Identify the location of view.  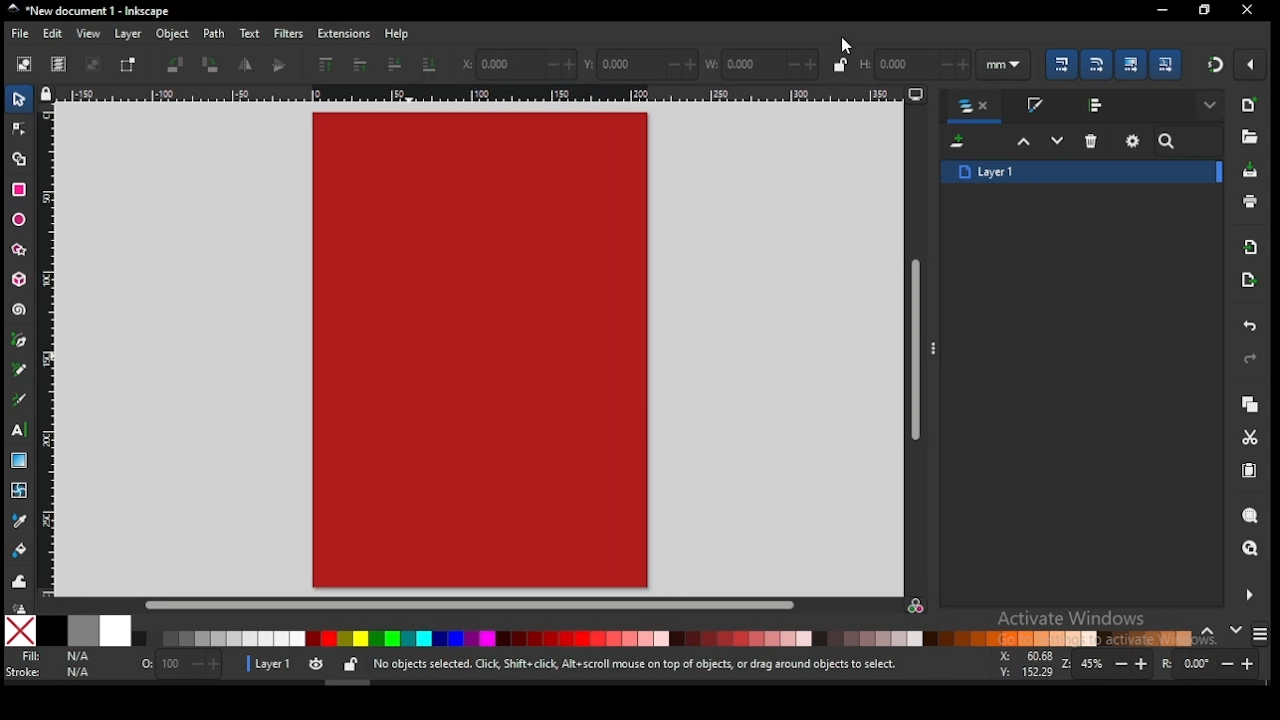
(91, 34).